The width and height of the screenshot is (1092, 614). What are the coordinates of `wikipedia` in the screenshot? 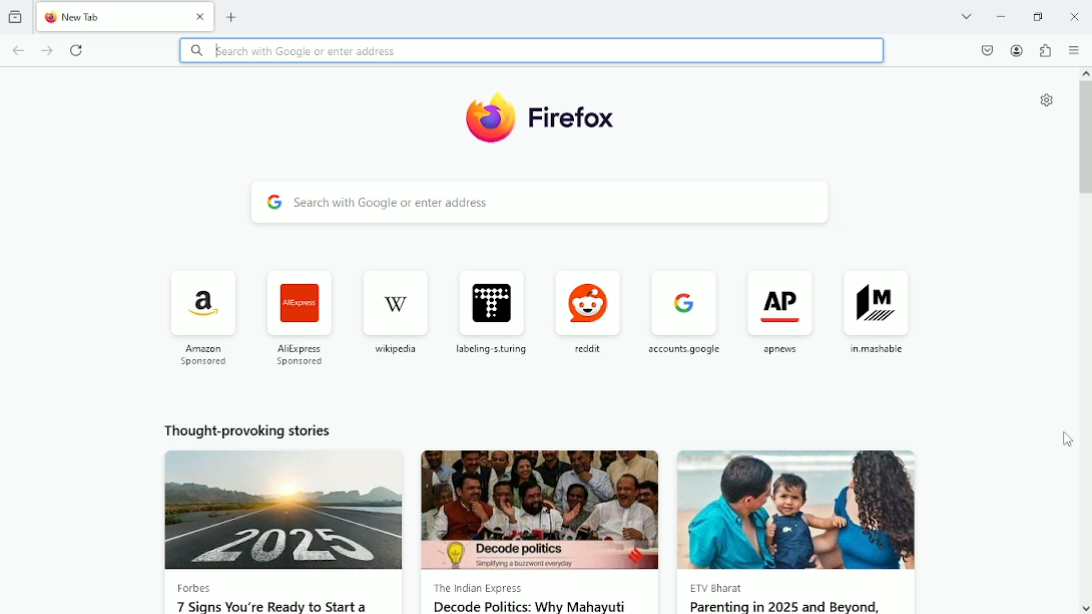 It's located at (389, 321).